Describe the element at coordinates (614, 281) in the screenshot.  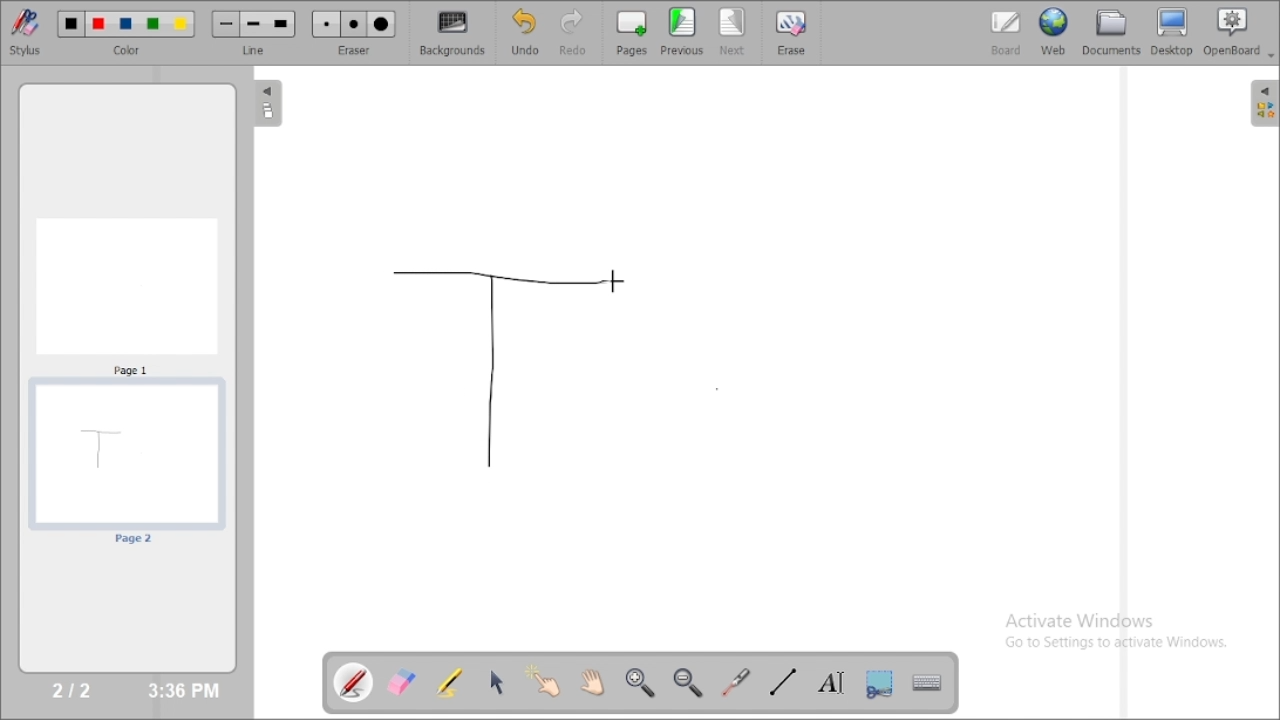
I see `cursor` at that location.